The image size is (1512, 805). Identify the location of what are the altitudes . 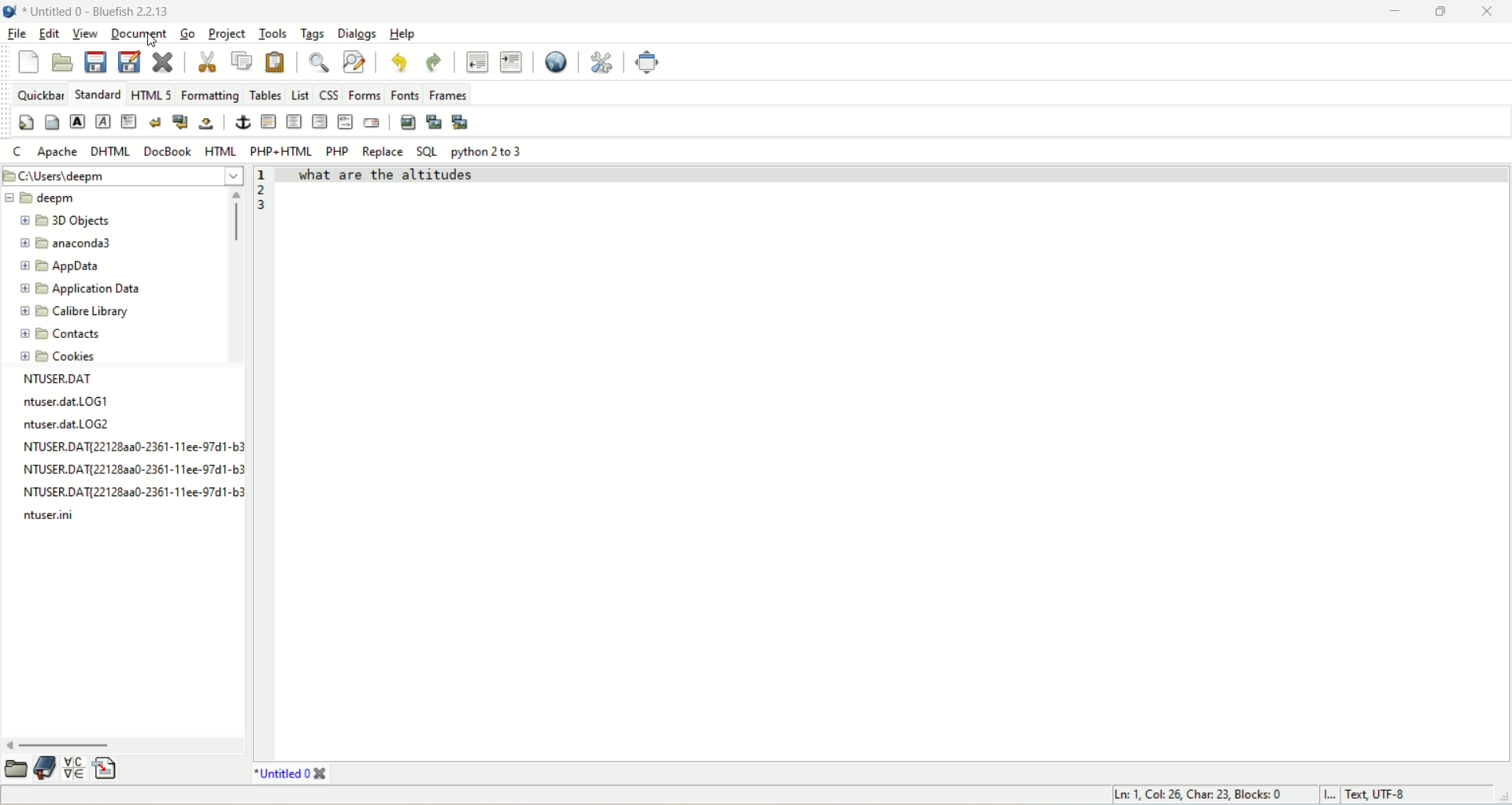
(388, 172).